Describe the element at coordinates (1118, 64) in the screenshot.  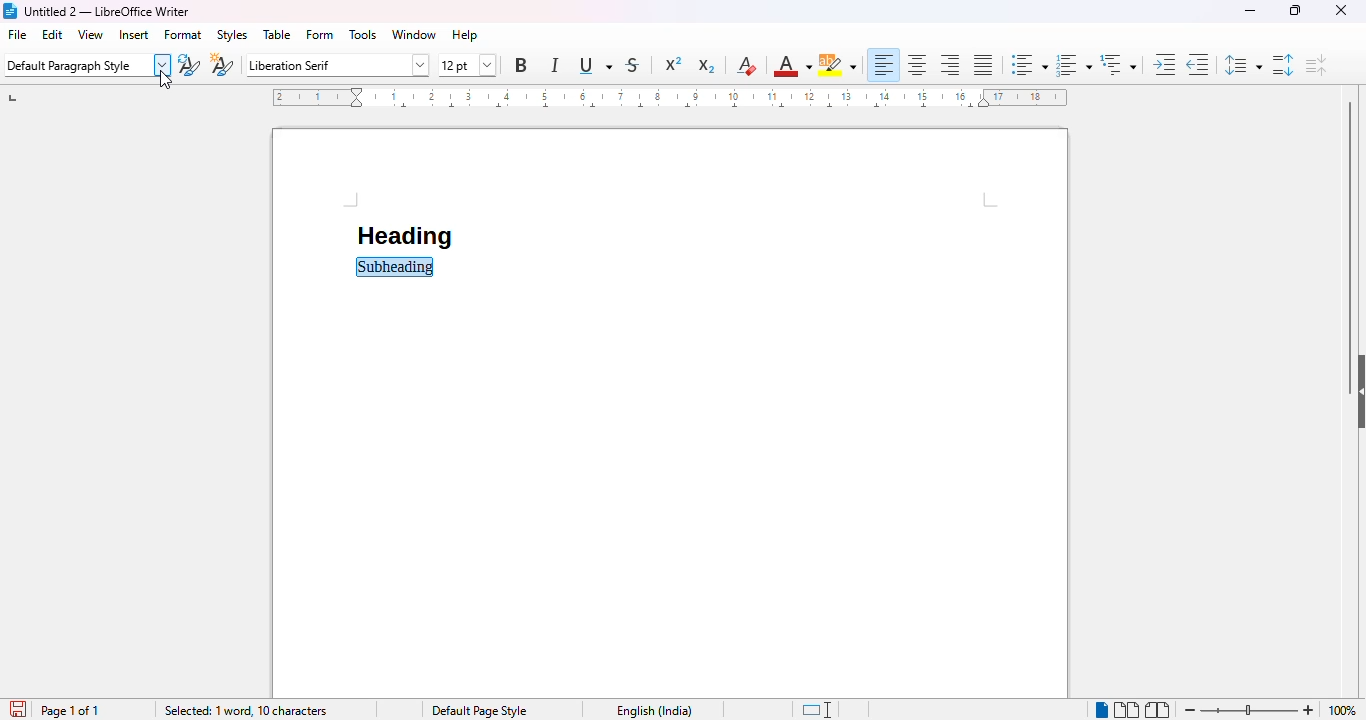
I see `set outline format` at that location.